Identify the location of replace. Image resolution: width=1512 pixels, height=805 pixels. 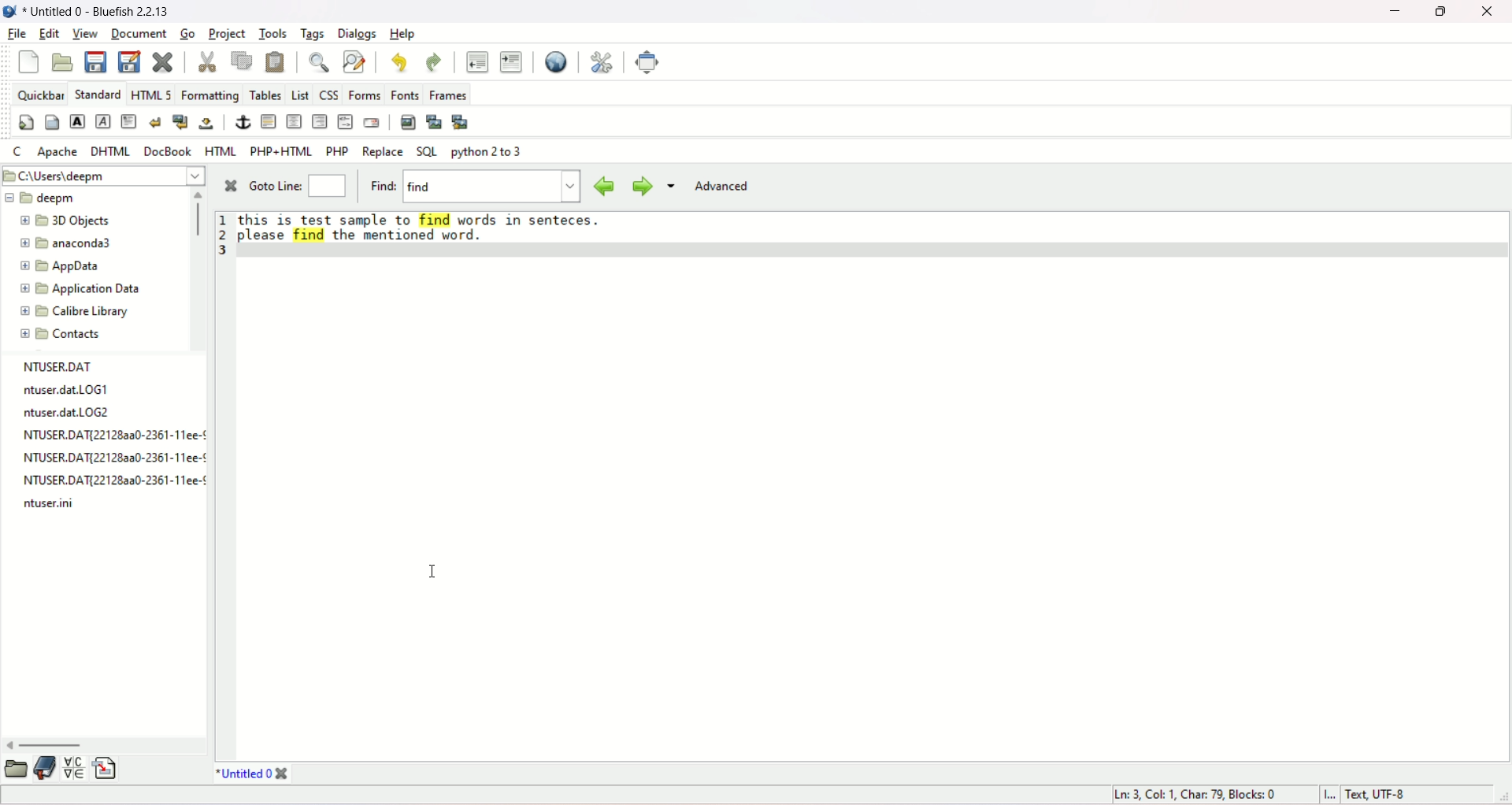
(384, 151).